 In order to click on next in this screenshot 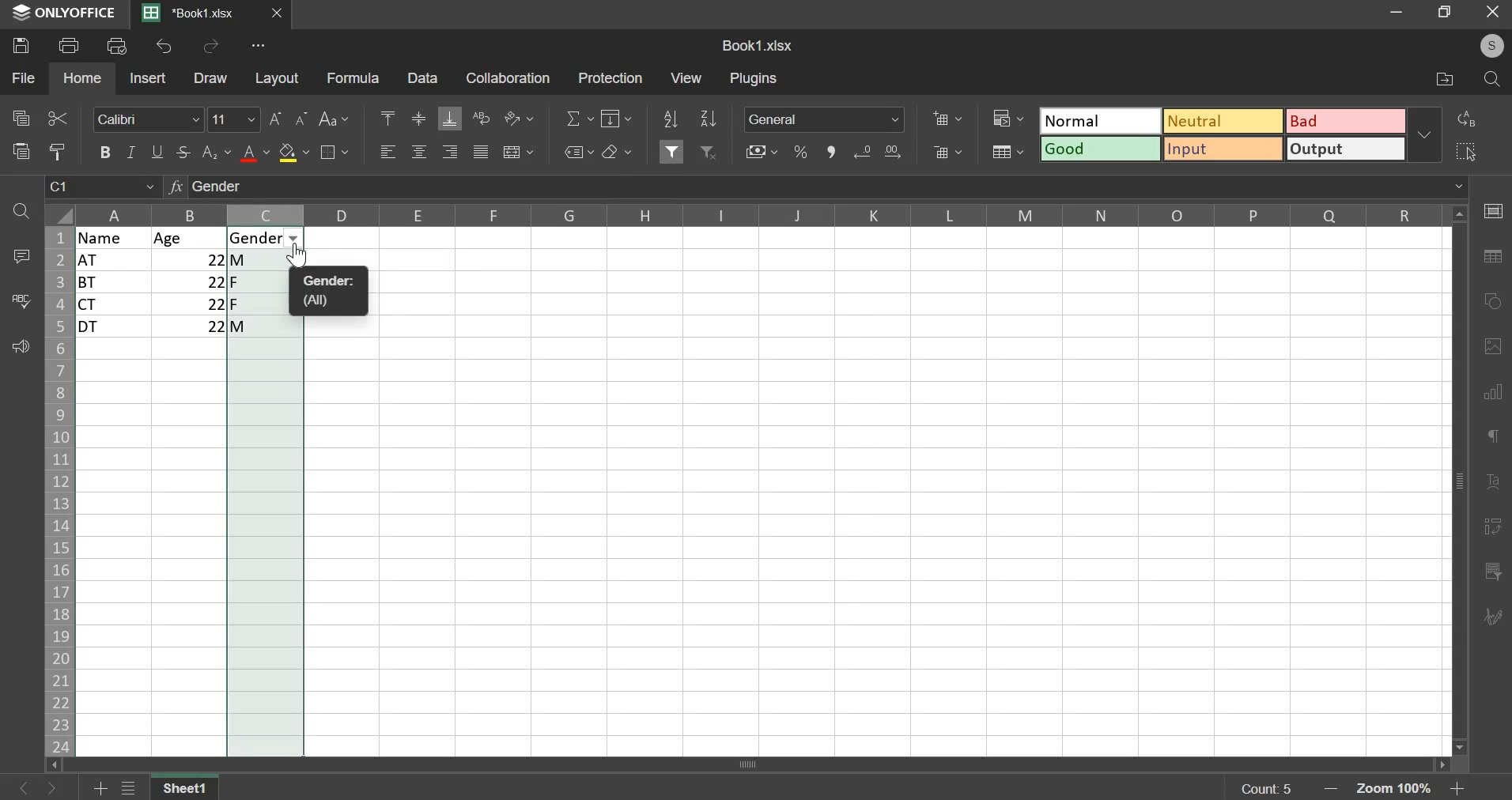, I will do `click(24, 786)`.